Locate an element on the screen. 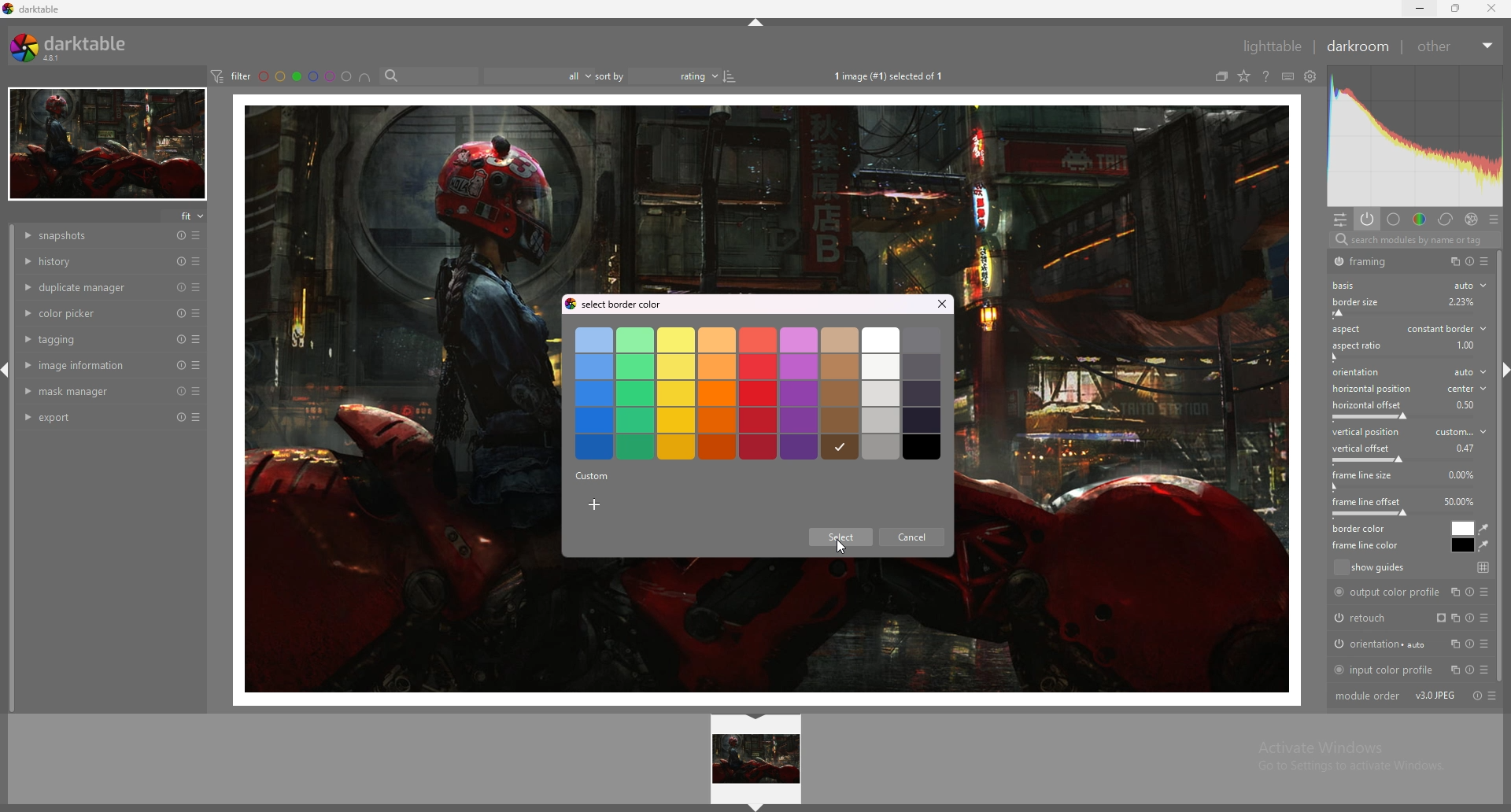  filter by images rating is located at coordinates (531, 75).